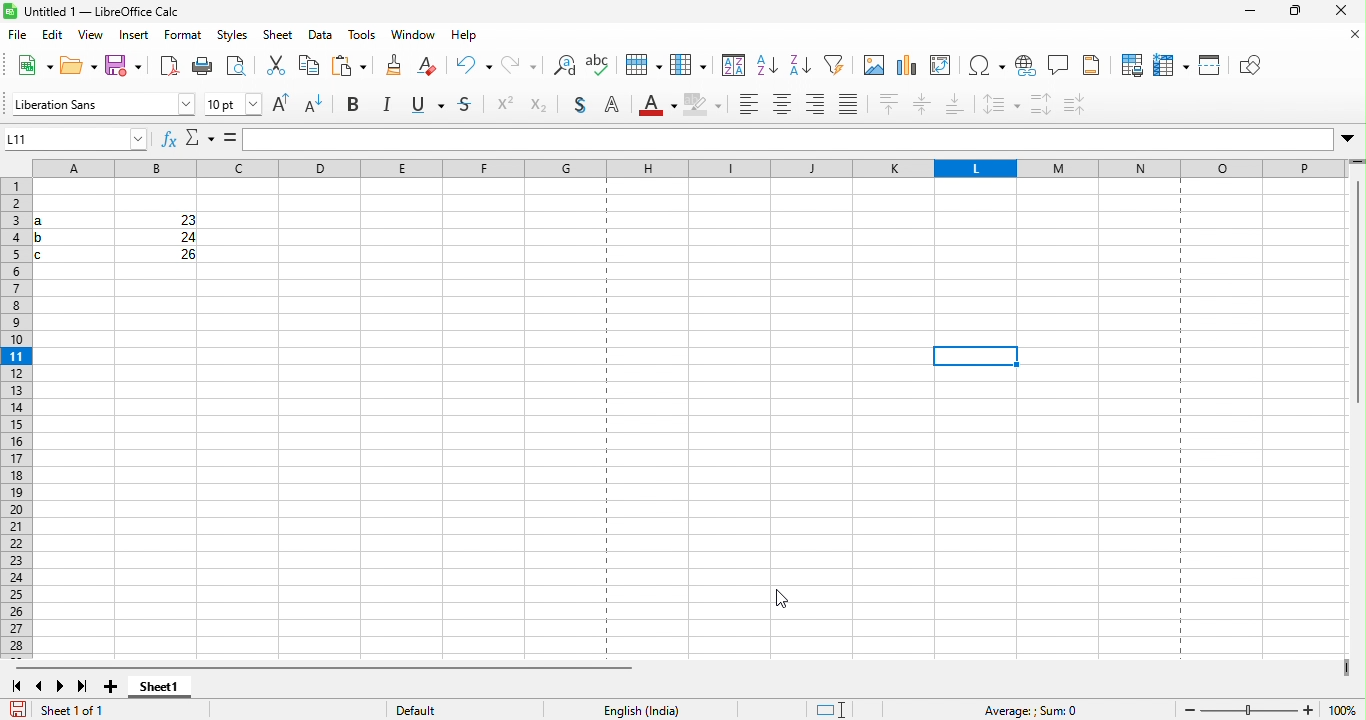 Image resolution: width=1366 pixels, height=720 pixels. I want to click on next sheet, so click(61, 683).